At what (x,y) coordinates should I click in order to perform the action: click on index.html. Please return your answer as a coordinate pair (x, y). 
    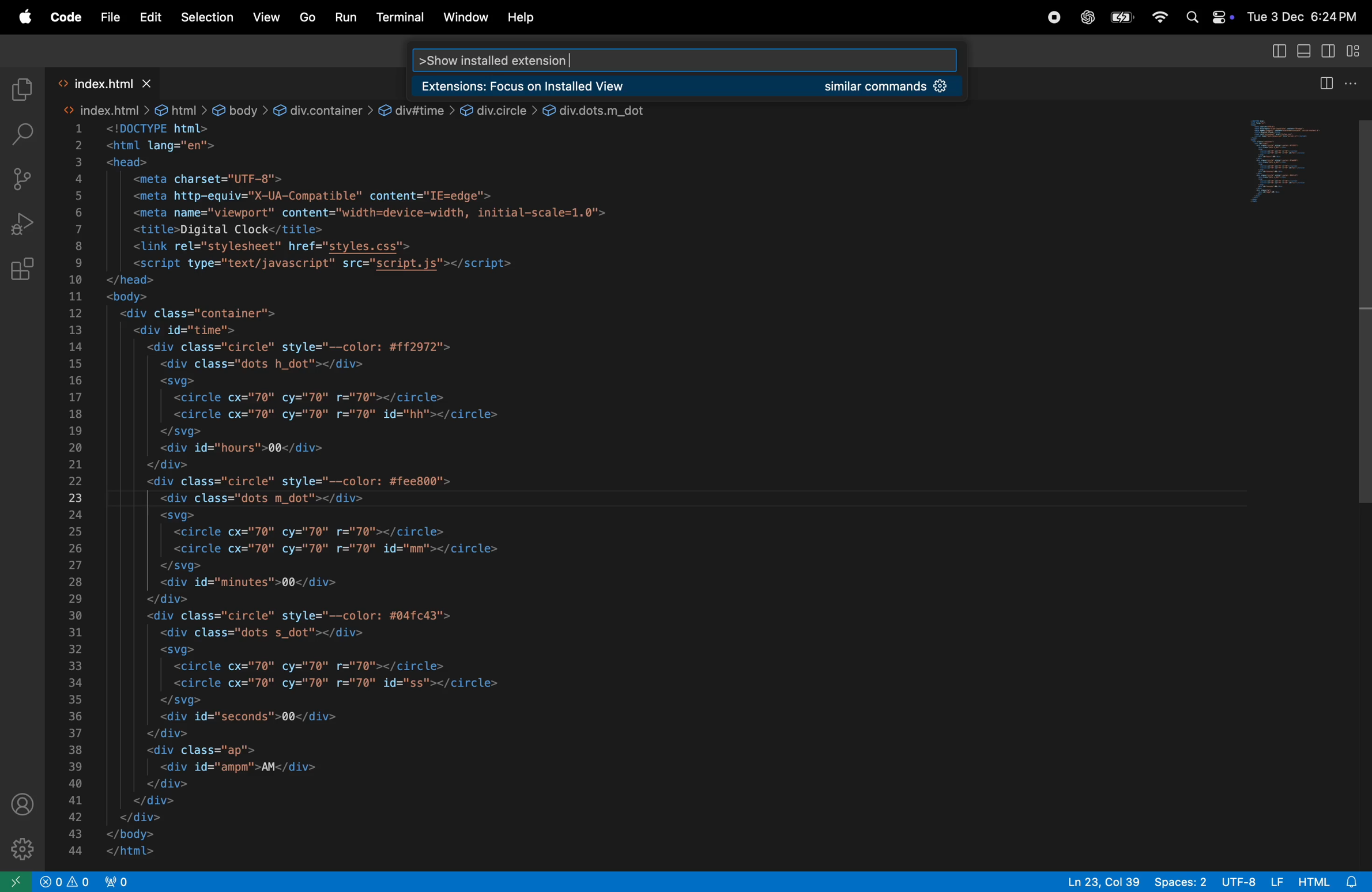
    Looking at the image, I should click on (107, 80).